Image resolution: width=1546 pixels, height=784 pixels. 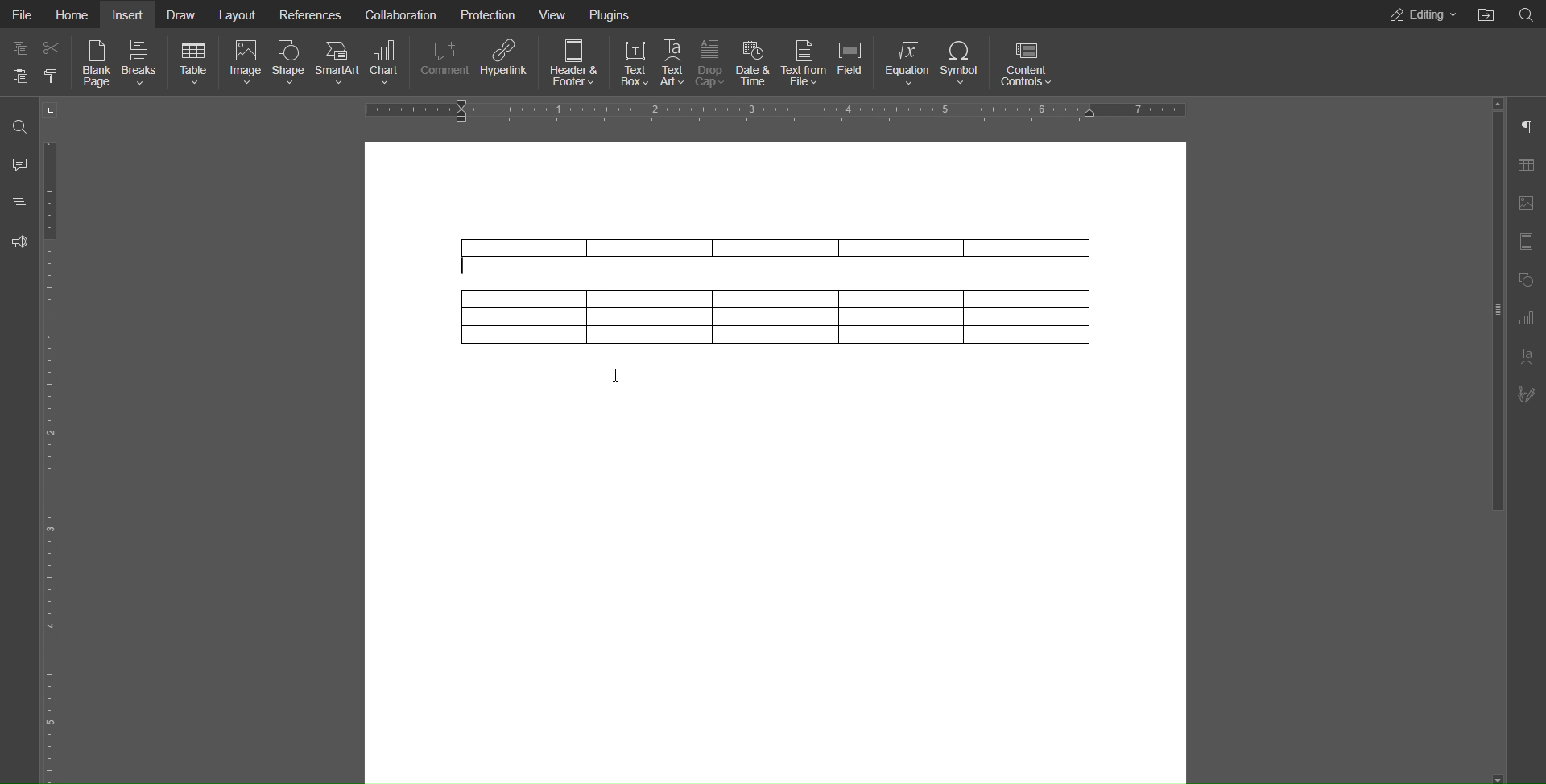 I want to click on Home, so click(x=73, y=14).